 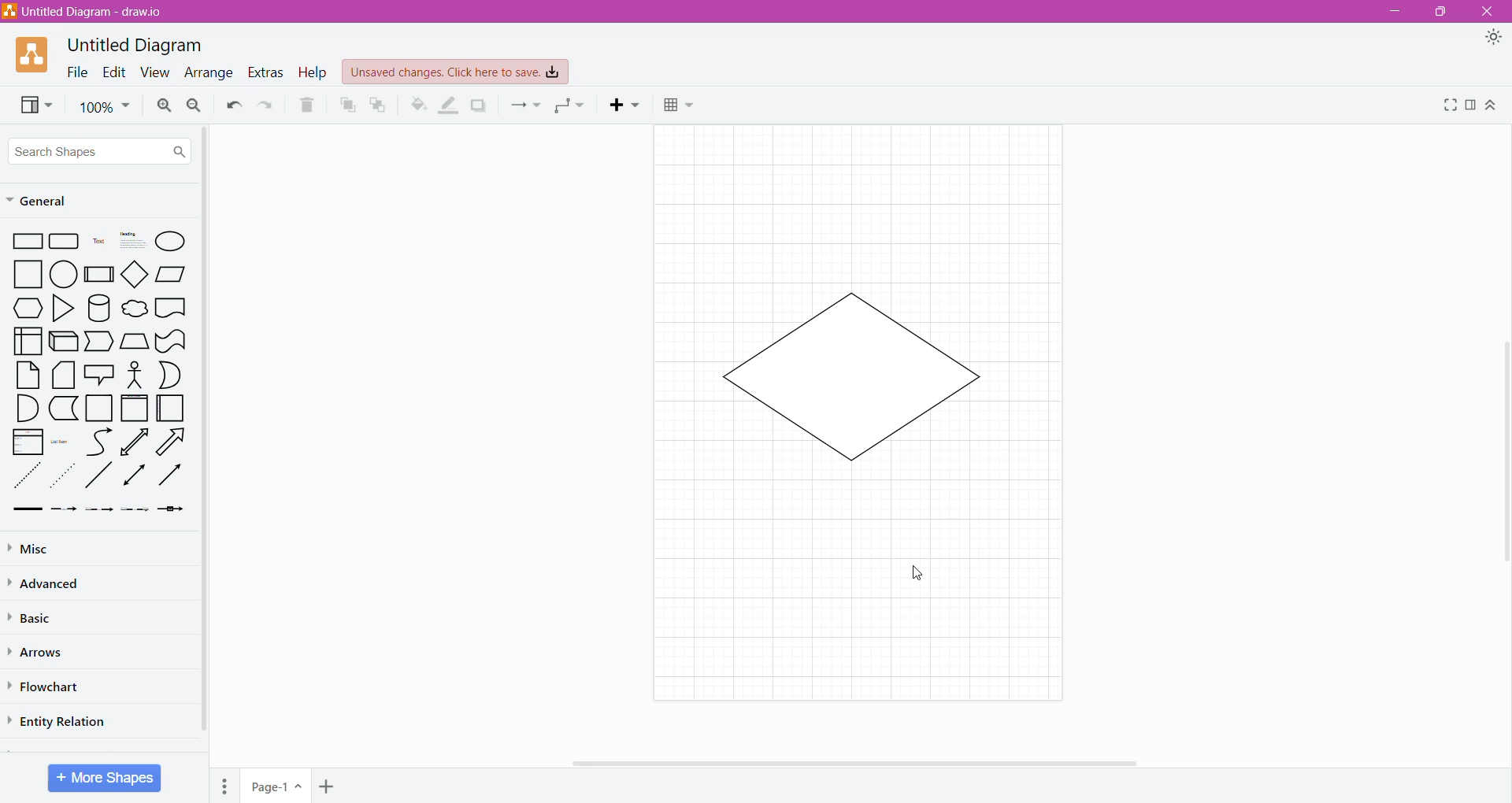 I want to click on Vertical Scroll Bar, so click(x=208, y=442).